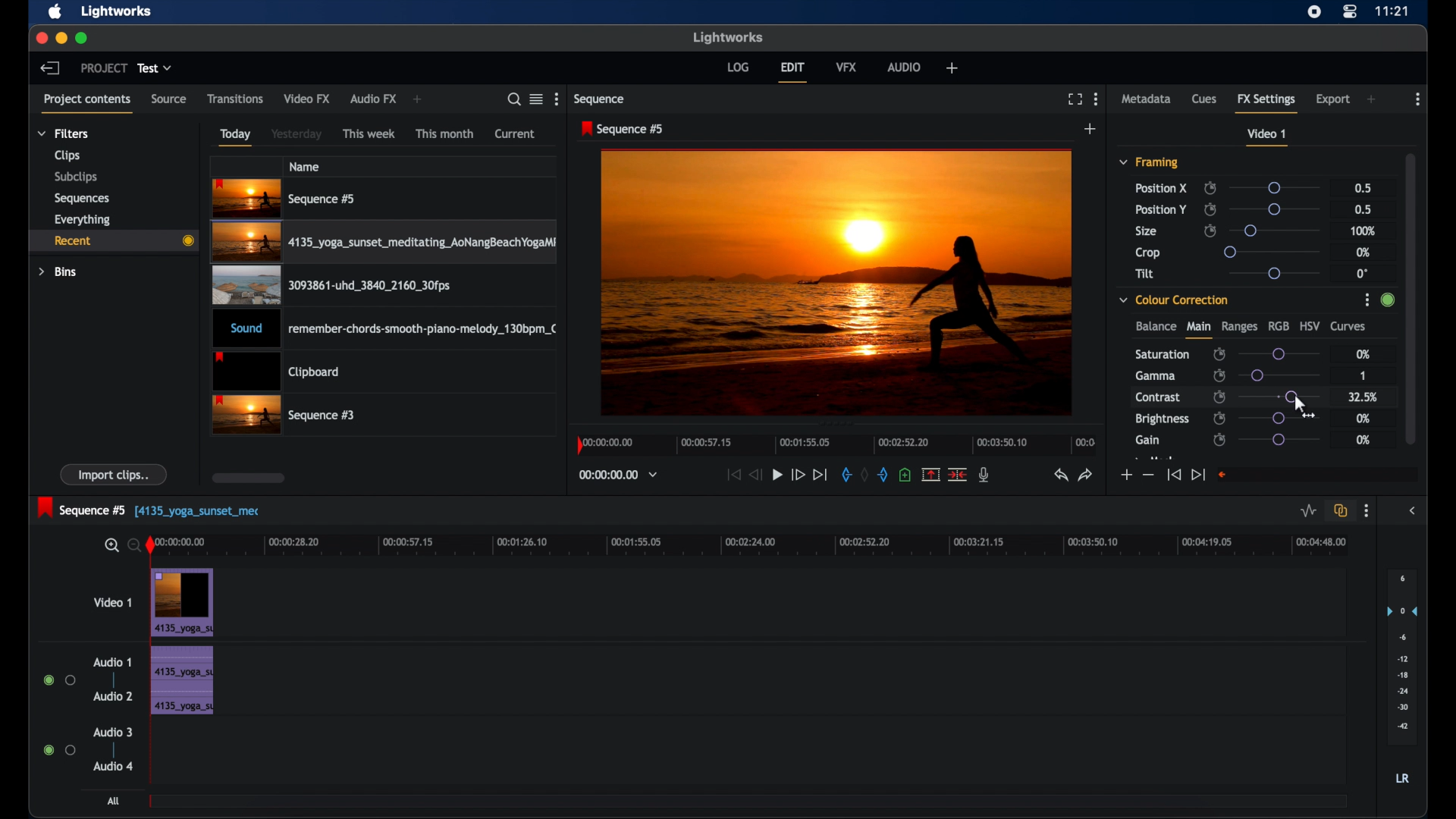 The width and height of the screenshot is (1456, 819). What do you see at coordinates (1161, 419) in the screenshot?
I see `brightness` at bounding box center [1161, 419].